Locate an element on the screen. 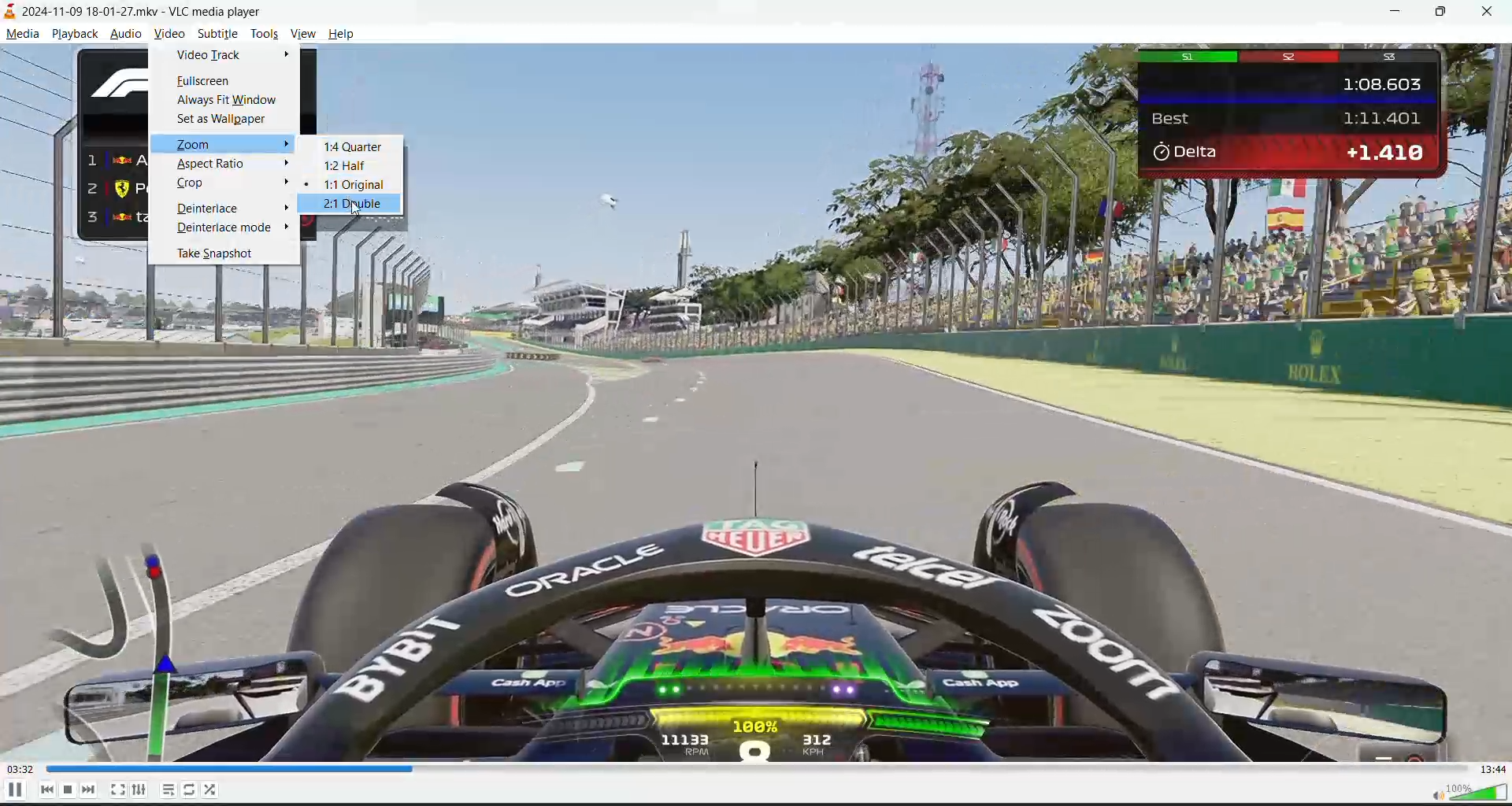  track name and app name is located at coordinates (147, 9).